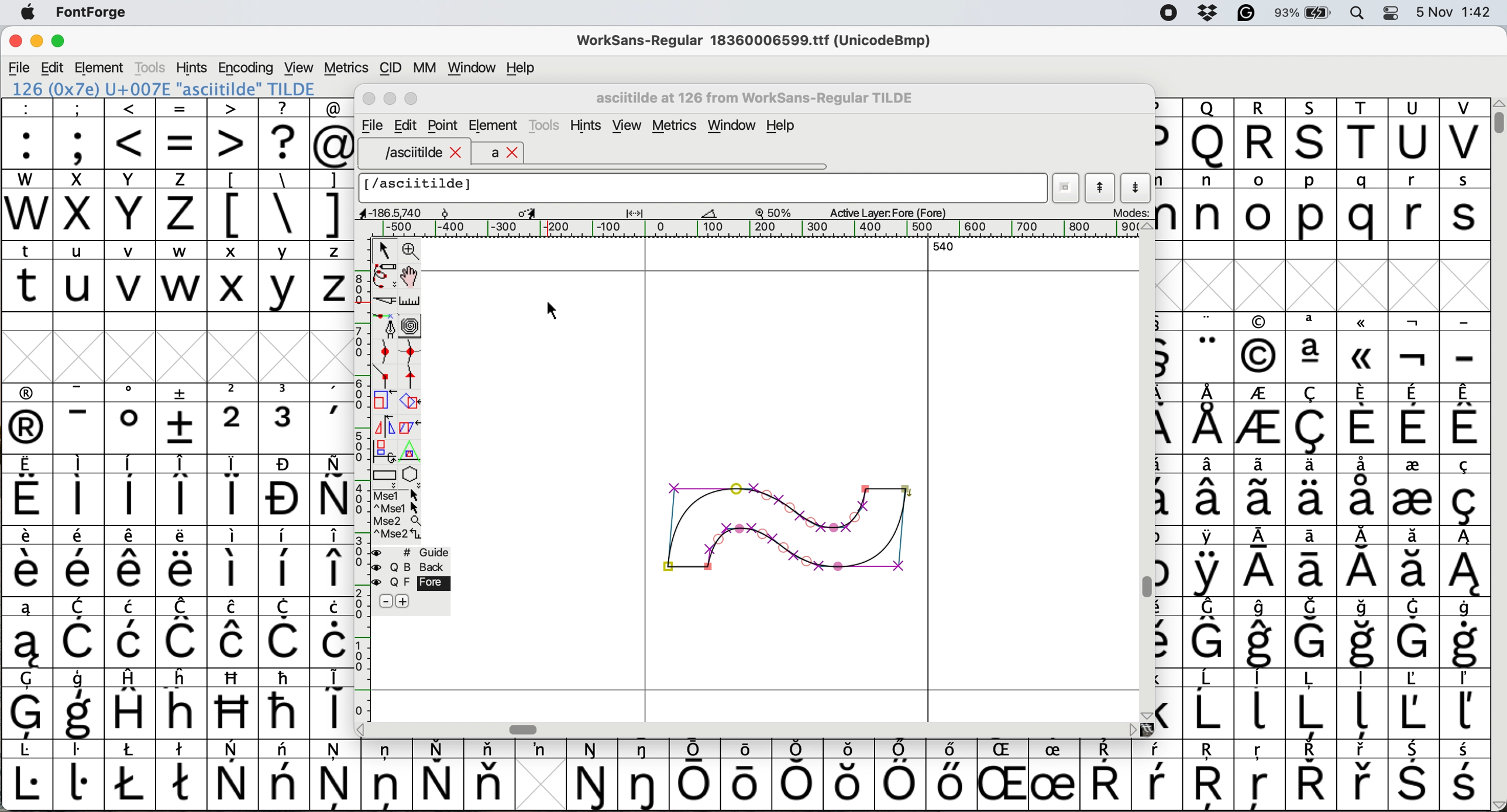 Image resolution: width=1507 pixels, height=812 pixels. What do you see at coordinates (387, 773) in the screenshot?
I see `symbol` at bounding box center [387, 773].